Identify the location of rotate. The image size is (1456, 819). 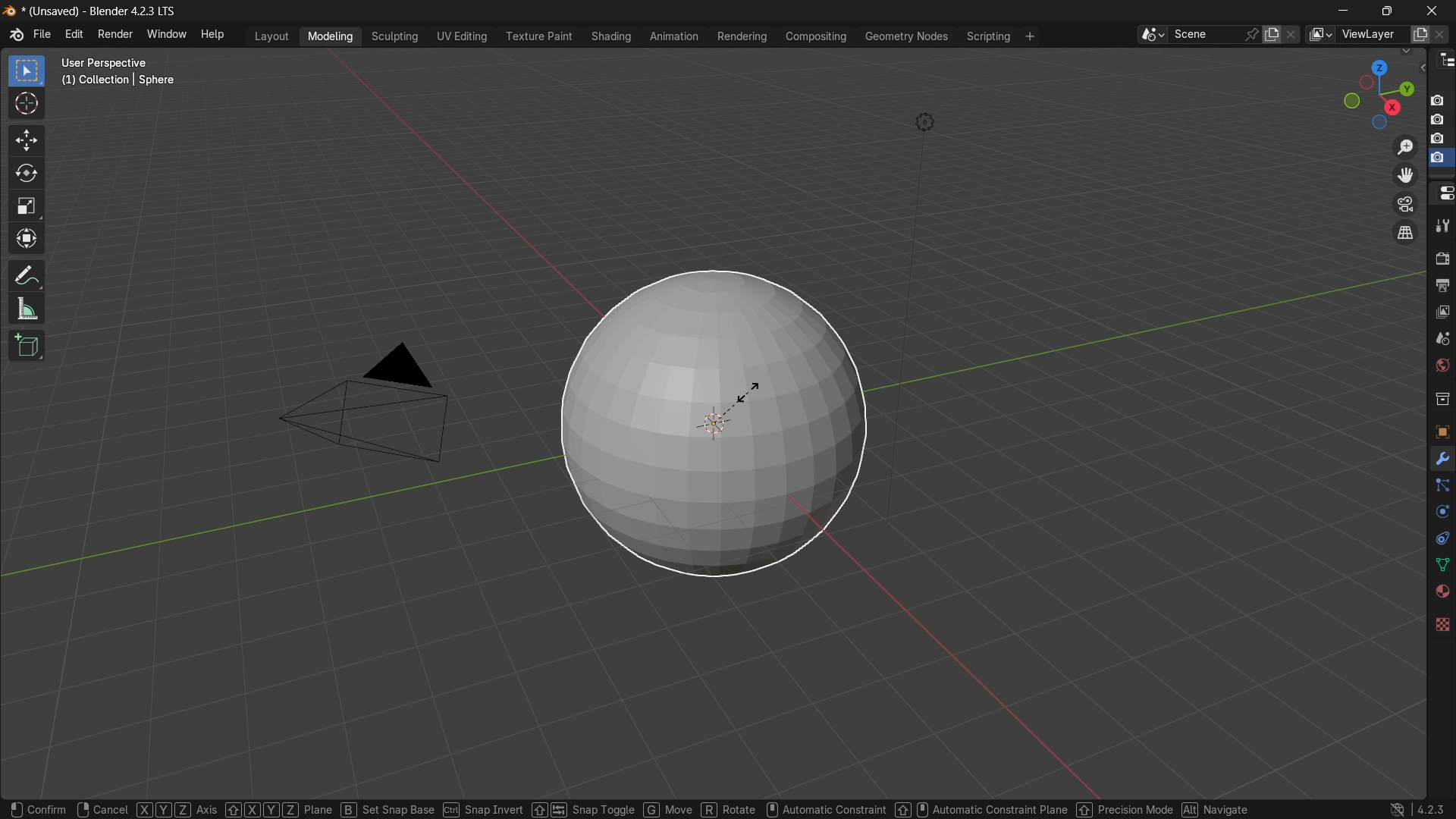
(27, 176).